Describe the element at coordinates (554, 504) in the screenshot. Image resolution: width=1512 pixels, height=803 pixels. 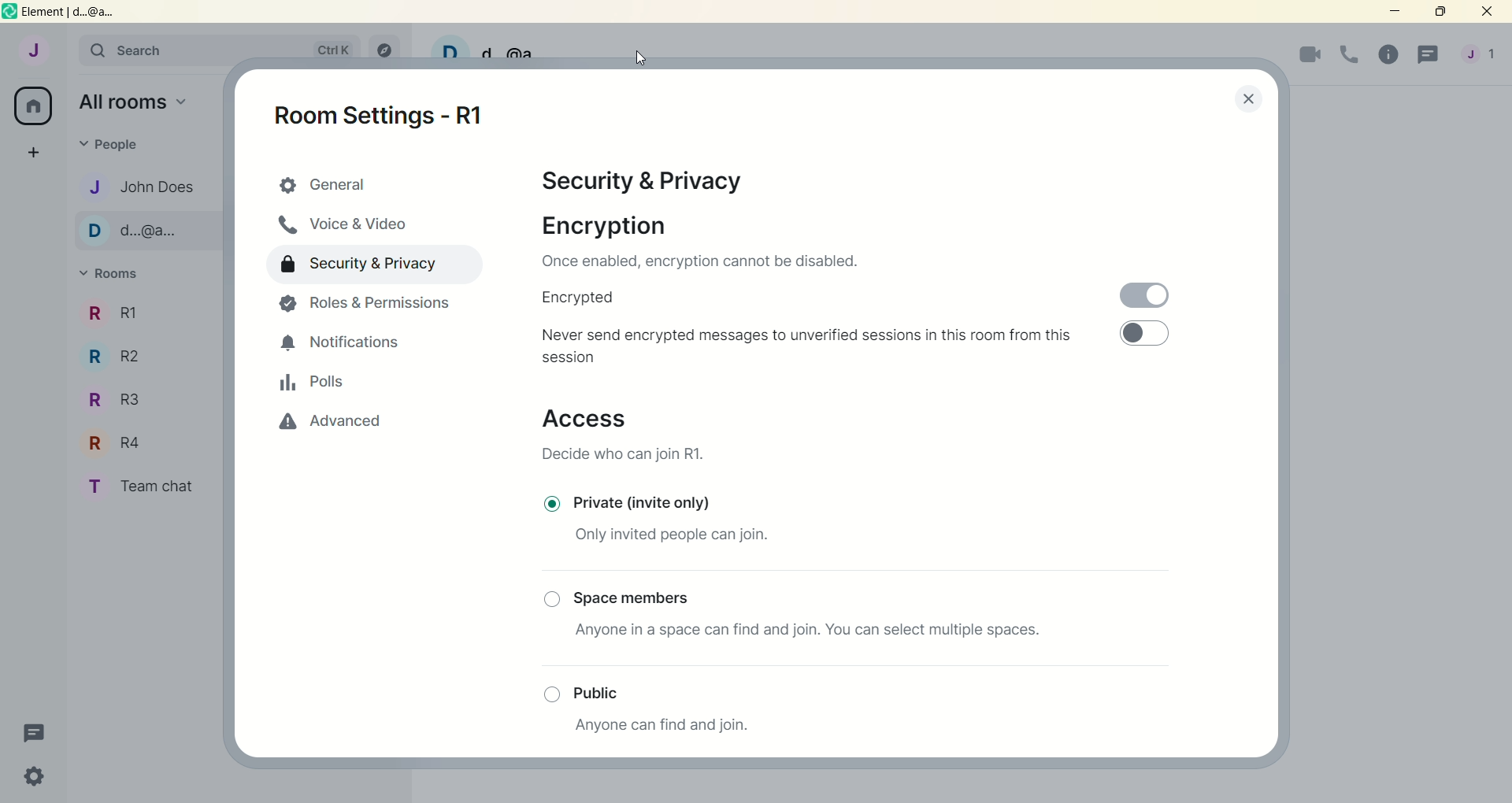
I see `button` at that location.